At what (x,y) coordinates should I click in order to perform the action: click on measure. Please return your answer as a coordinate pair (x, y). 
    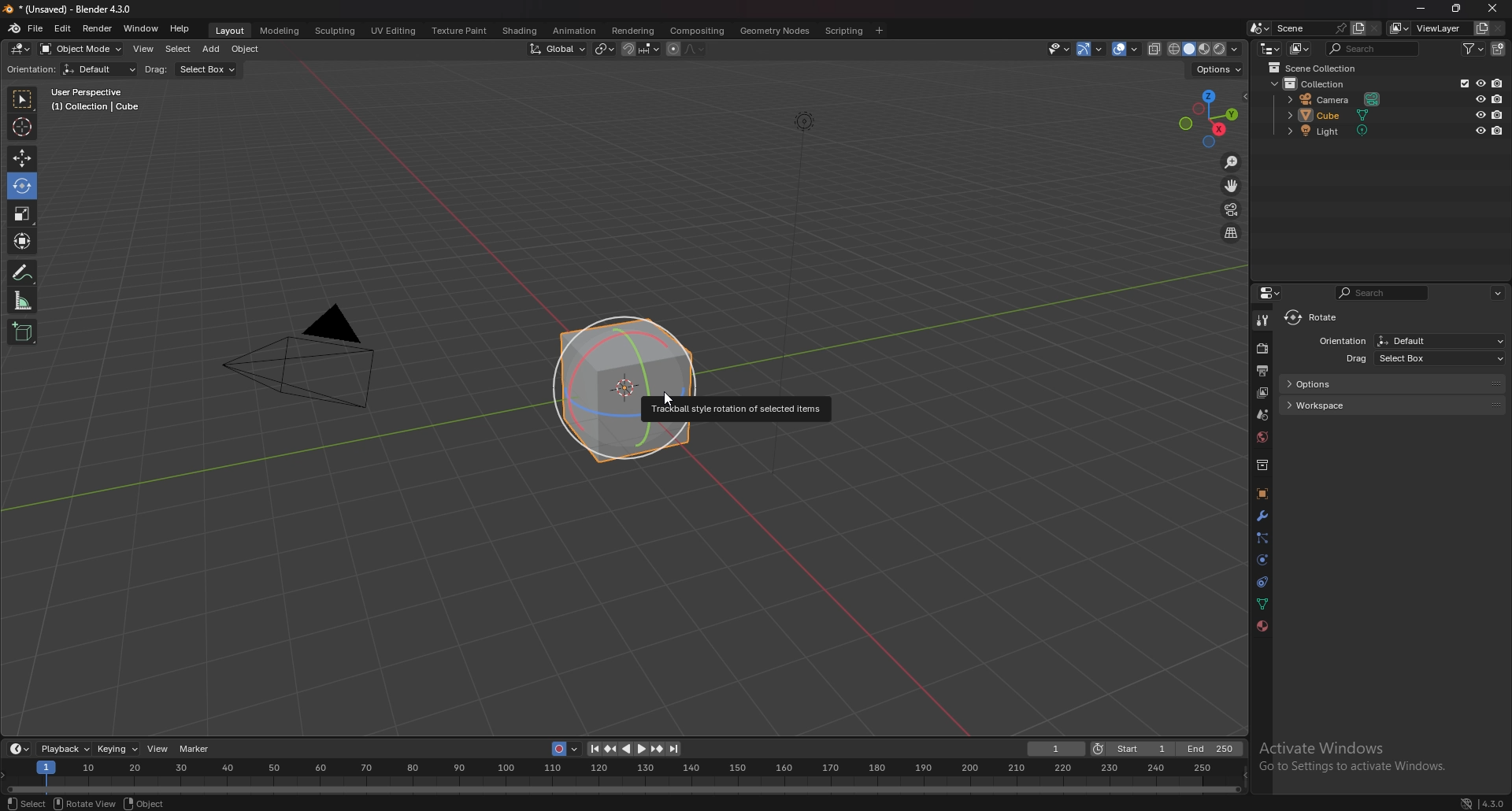
    Looking at the image, I should click on (23, 300).